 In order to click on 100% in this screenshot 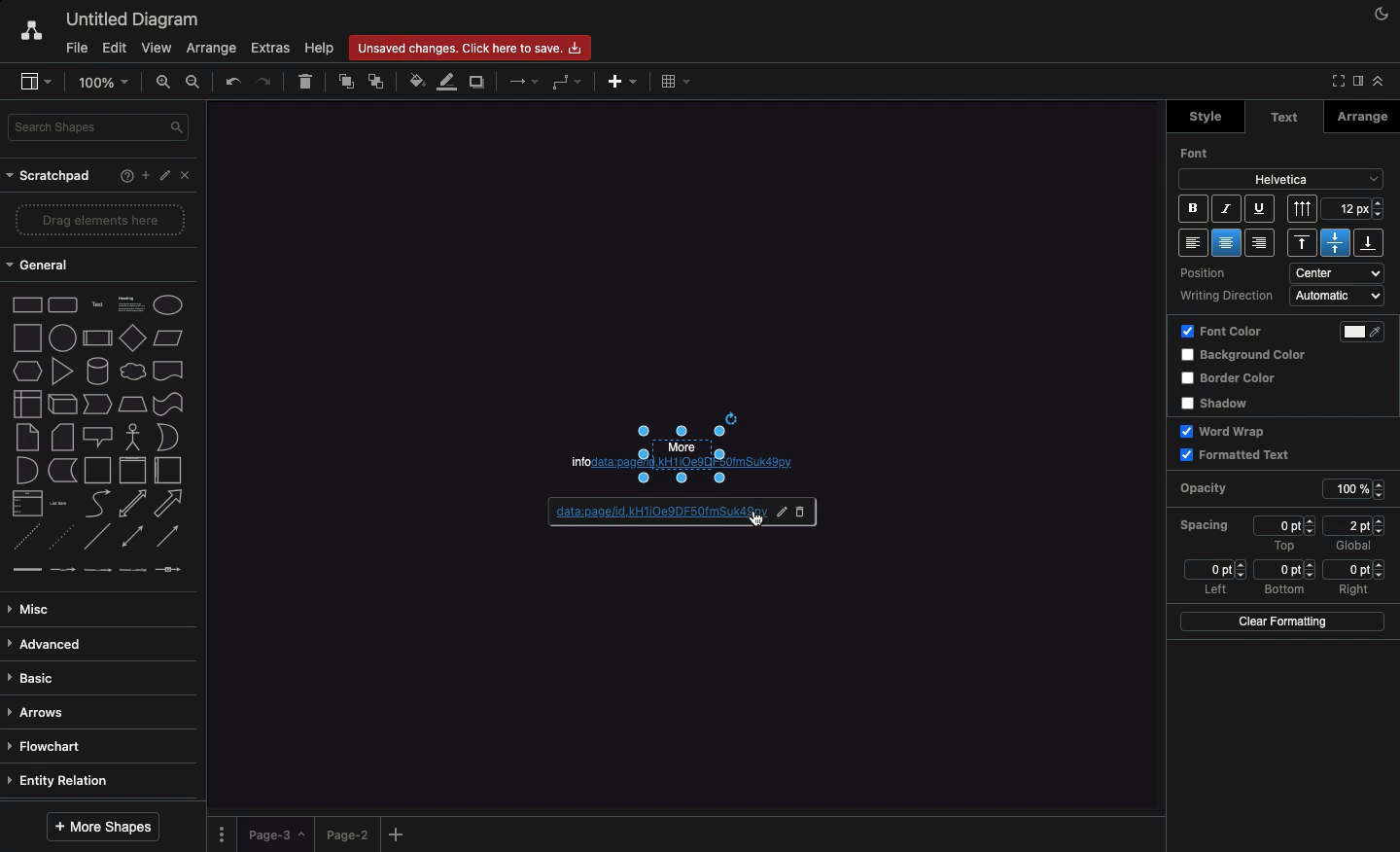, I will do `click(1357, 490)`.